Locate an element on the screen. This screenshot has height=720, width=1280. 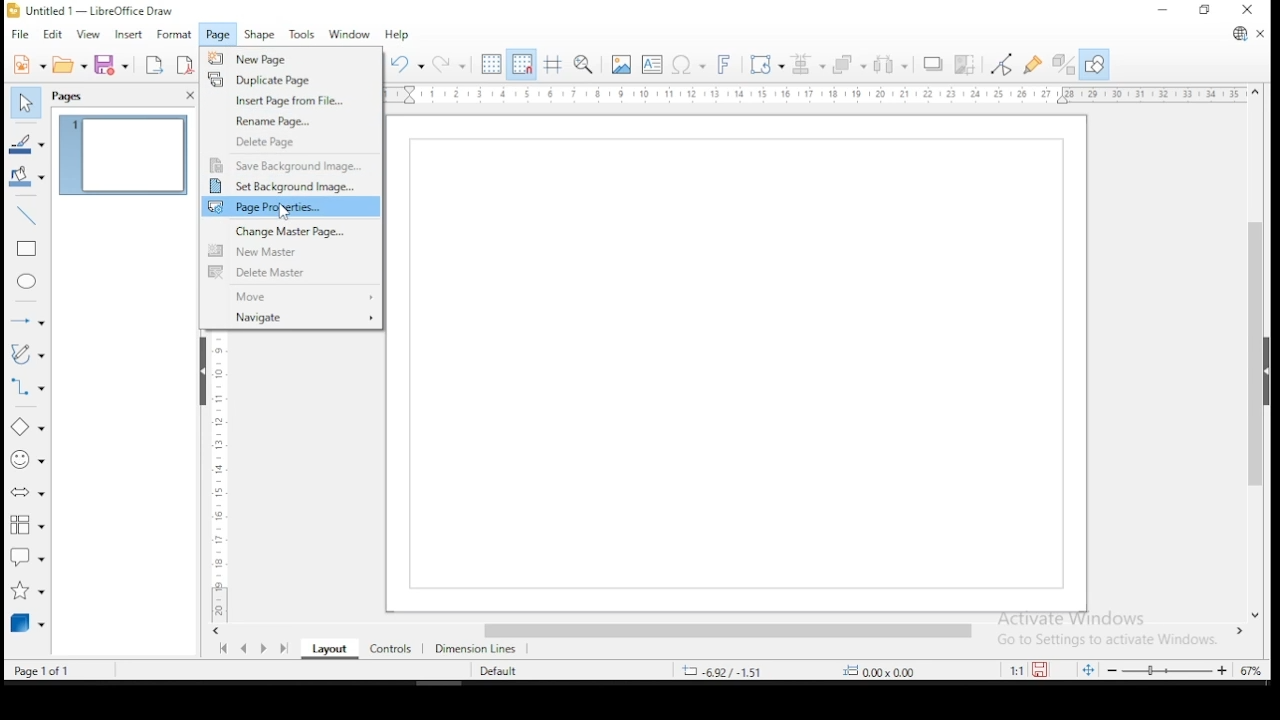
page properties is located at coordinates (289, 208).